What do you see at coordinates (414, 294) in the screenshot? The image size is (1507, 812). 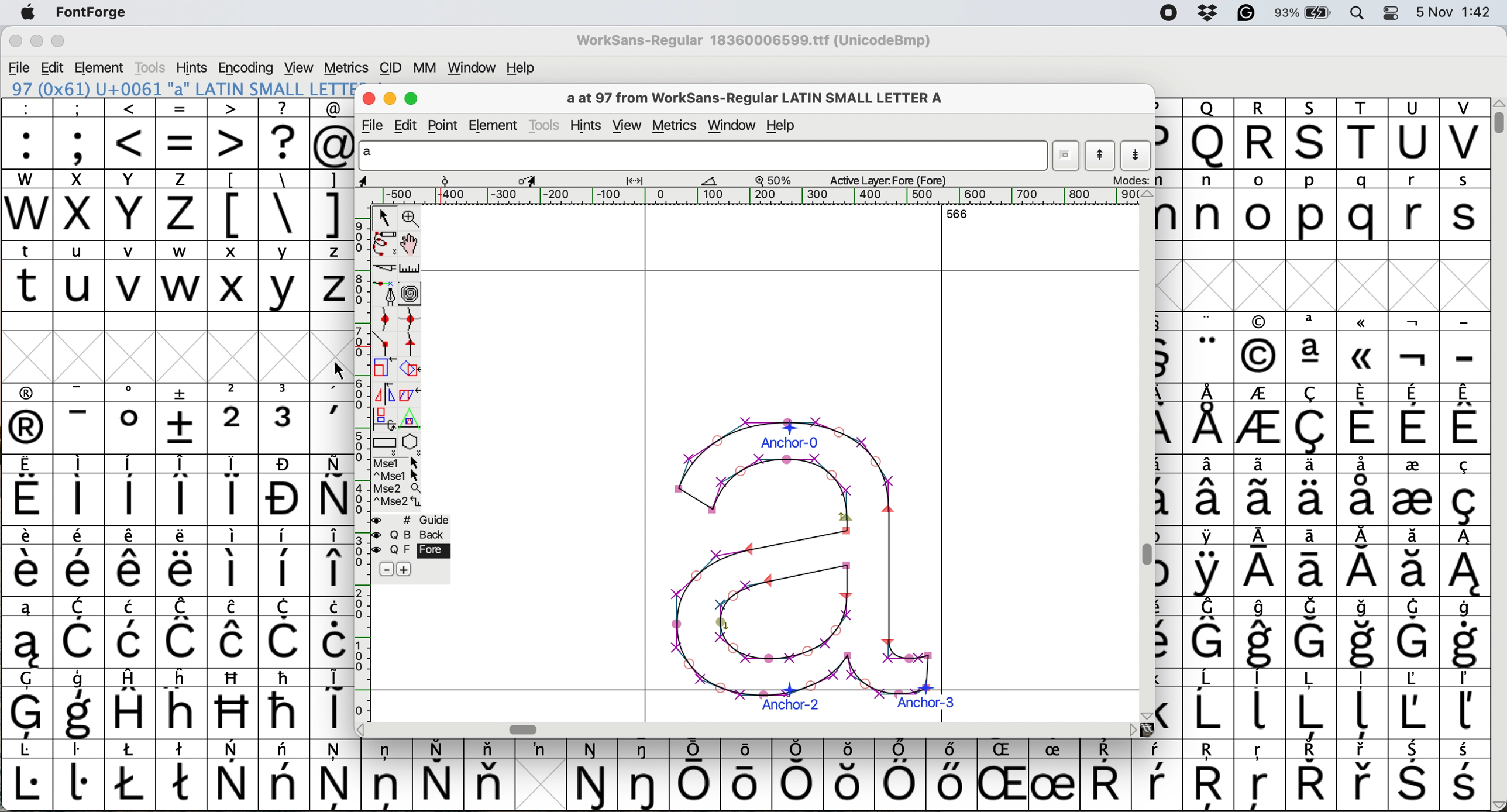 I see `change whether spiro is active or not` at bounding box center [414, 294].